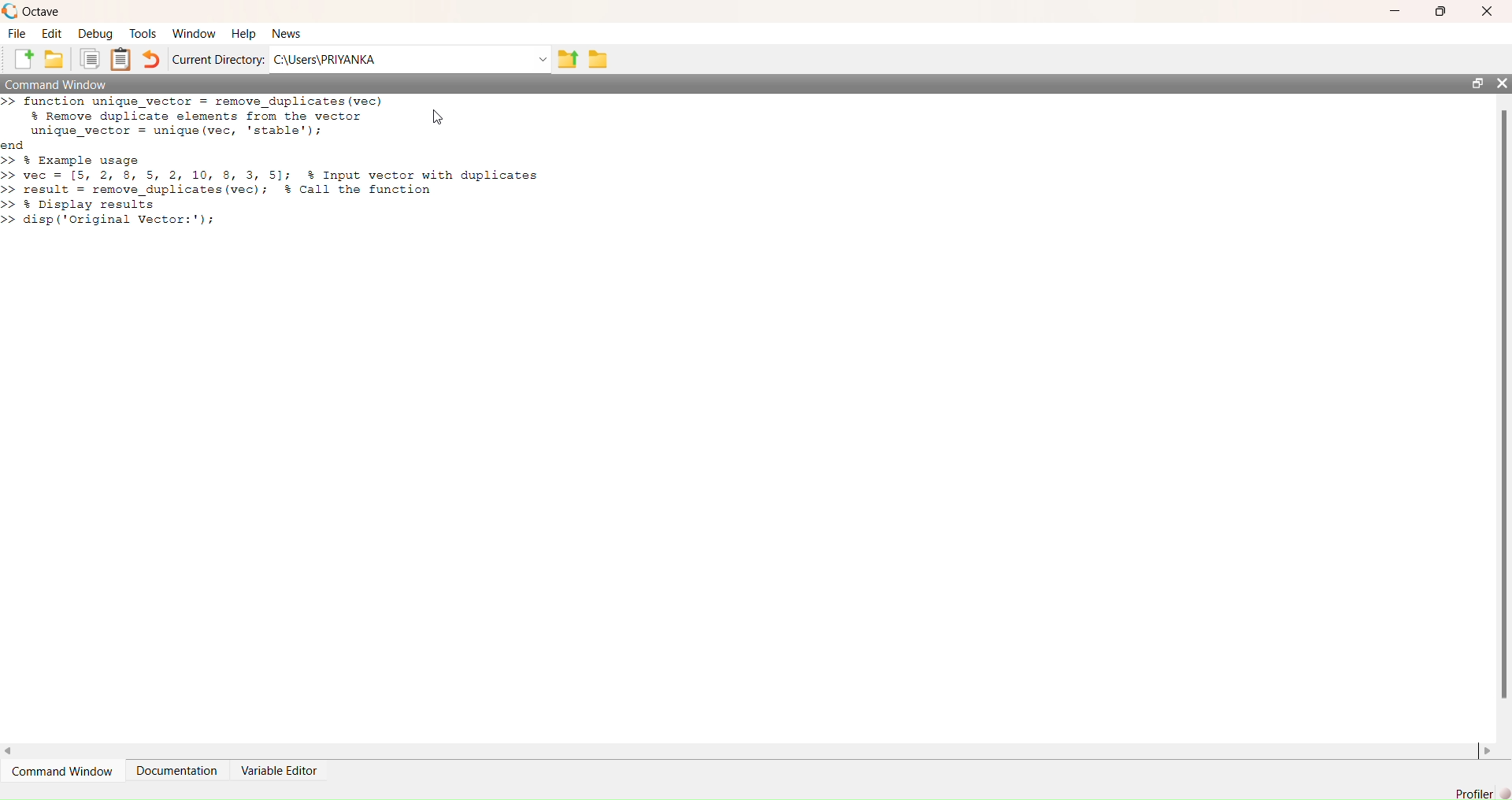  What do you see at coordinates (52, 35) in the screenshot?
I see `edit` at bounding box center [52, 35].